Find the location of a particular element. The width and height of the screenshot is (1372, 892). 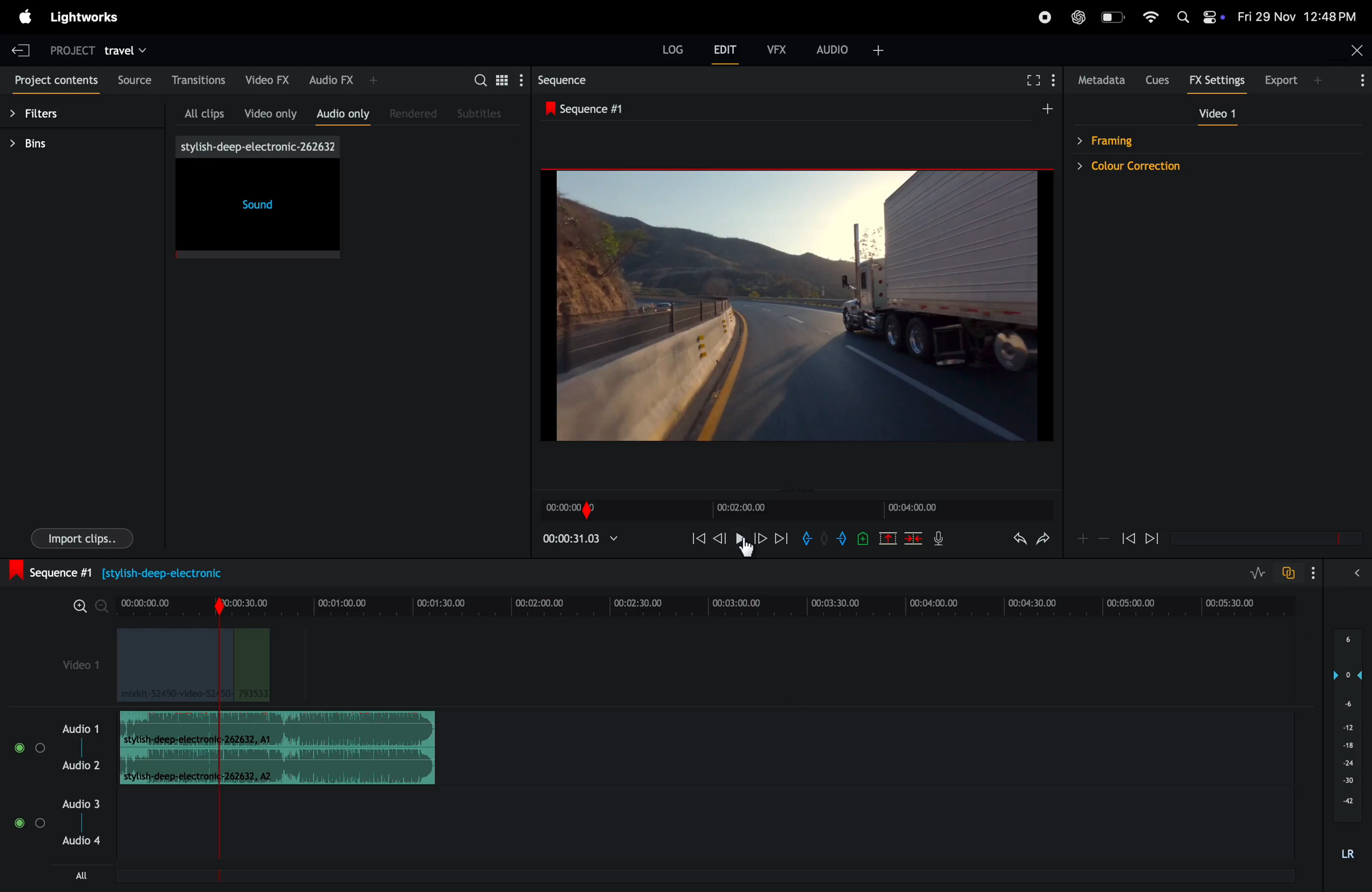

Toggle is located at coordinates (20, 748).